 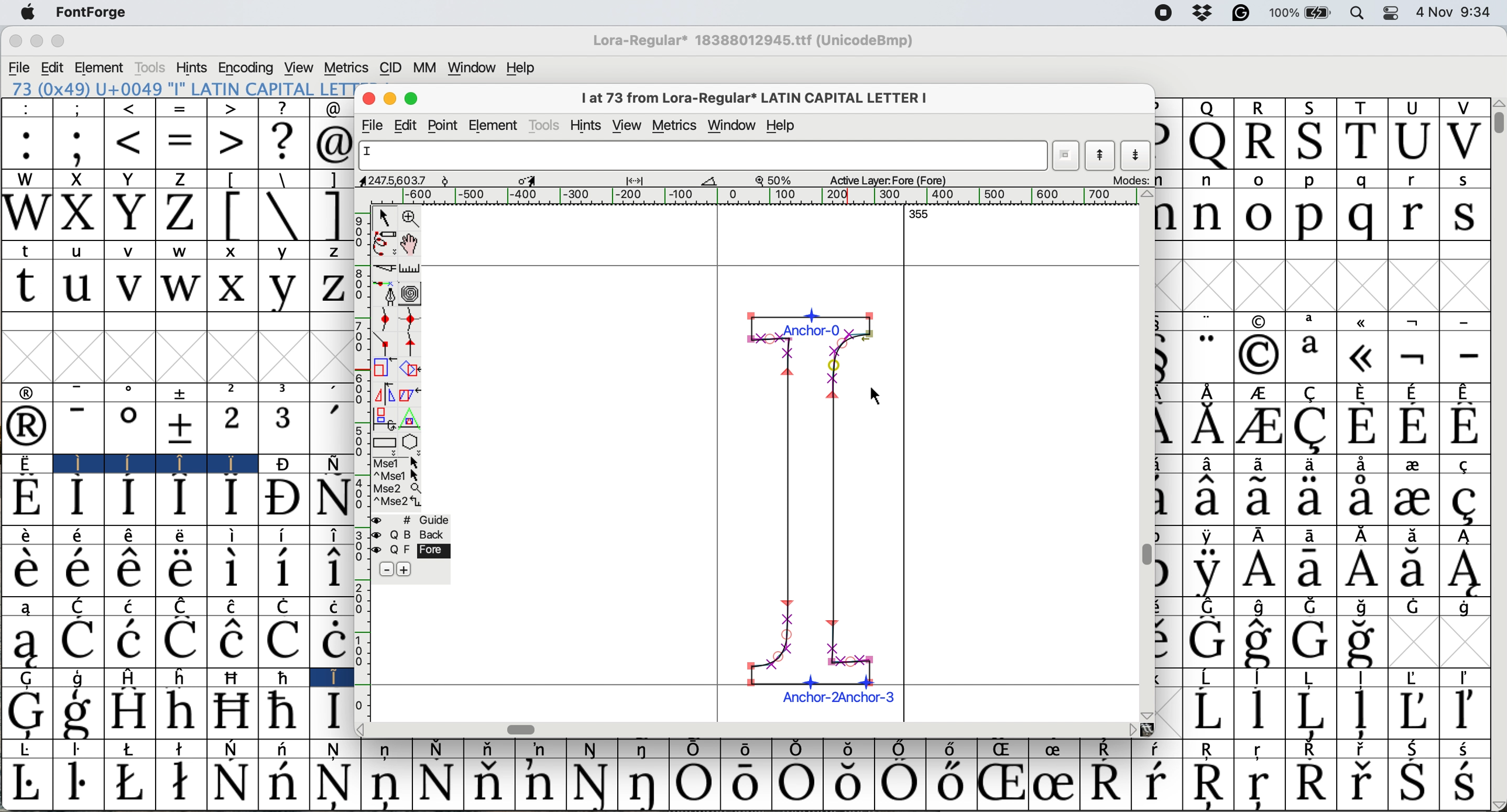 I want to click on Symbol, so click(x=232, y=536).